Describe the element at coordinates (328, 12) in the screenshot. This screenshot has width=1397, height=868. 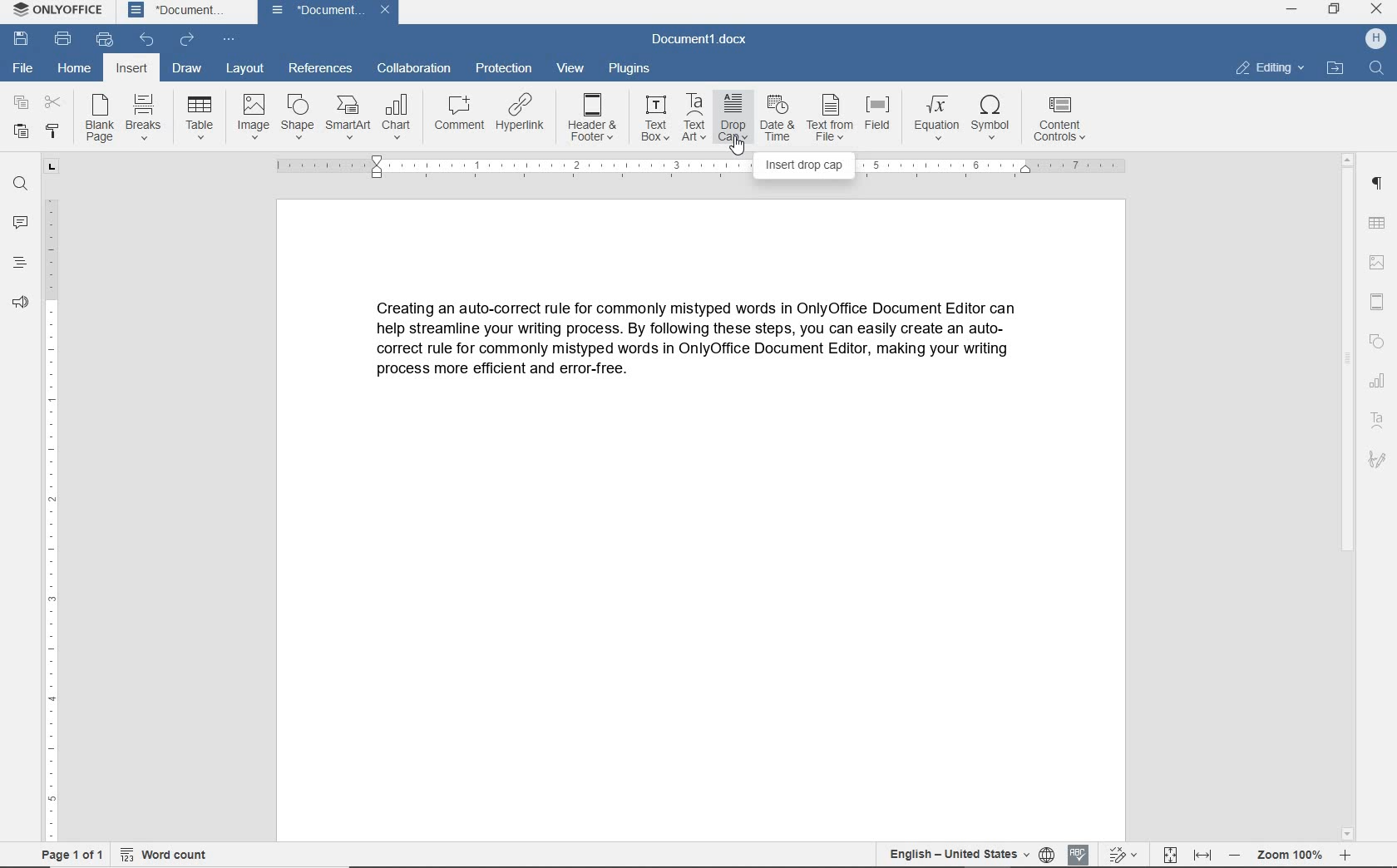
I see `document name` at that location.